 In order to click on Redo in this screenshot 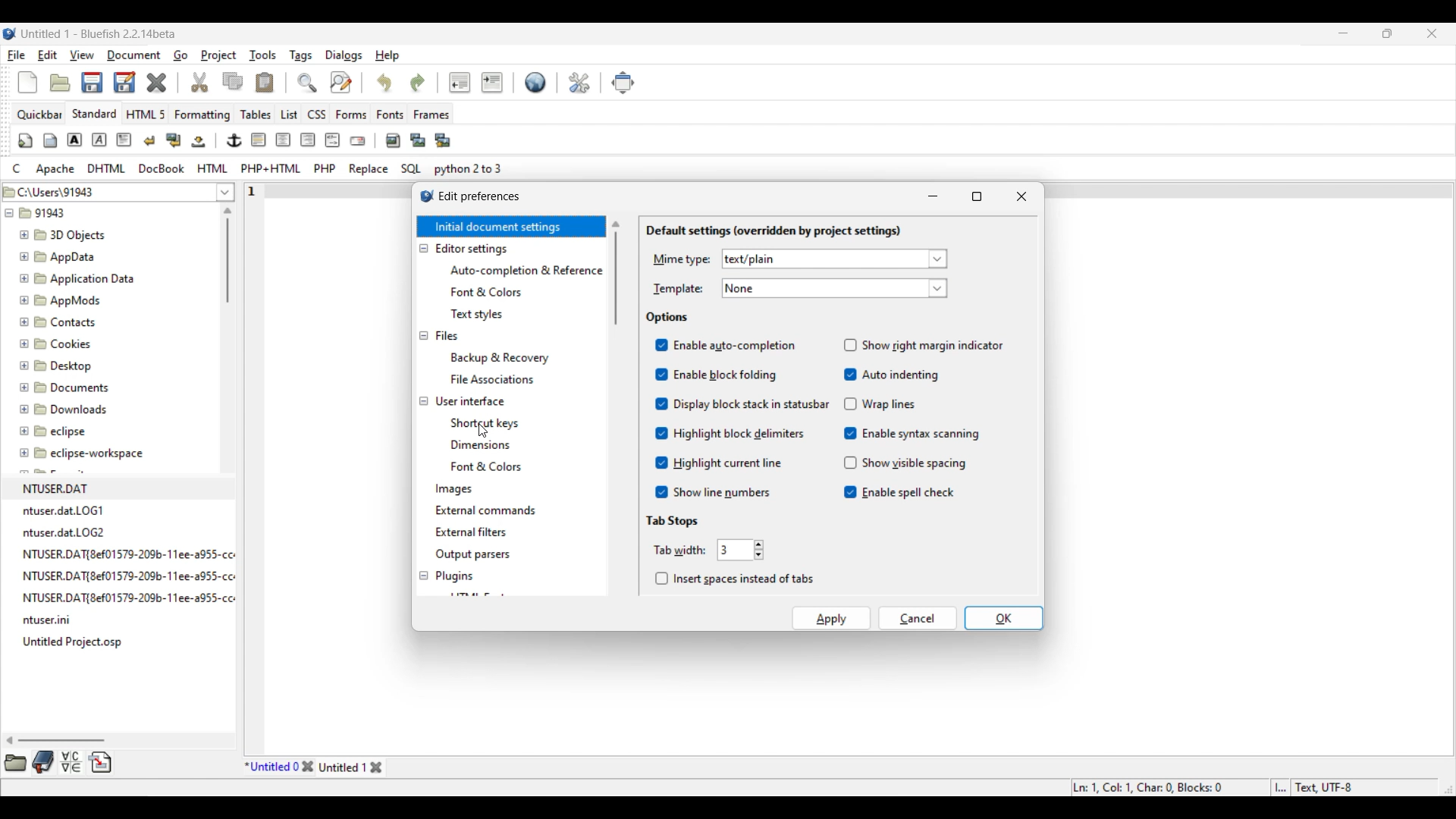, I will do `click(418, 83)`.